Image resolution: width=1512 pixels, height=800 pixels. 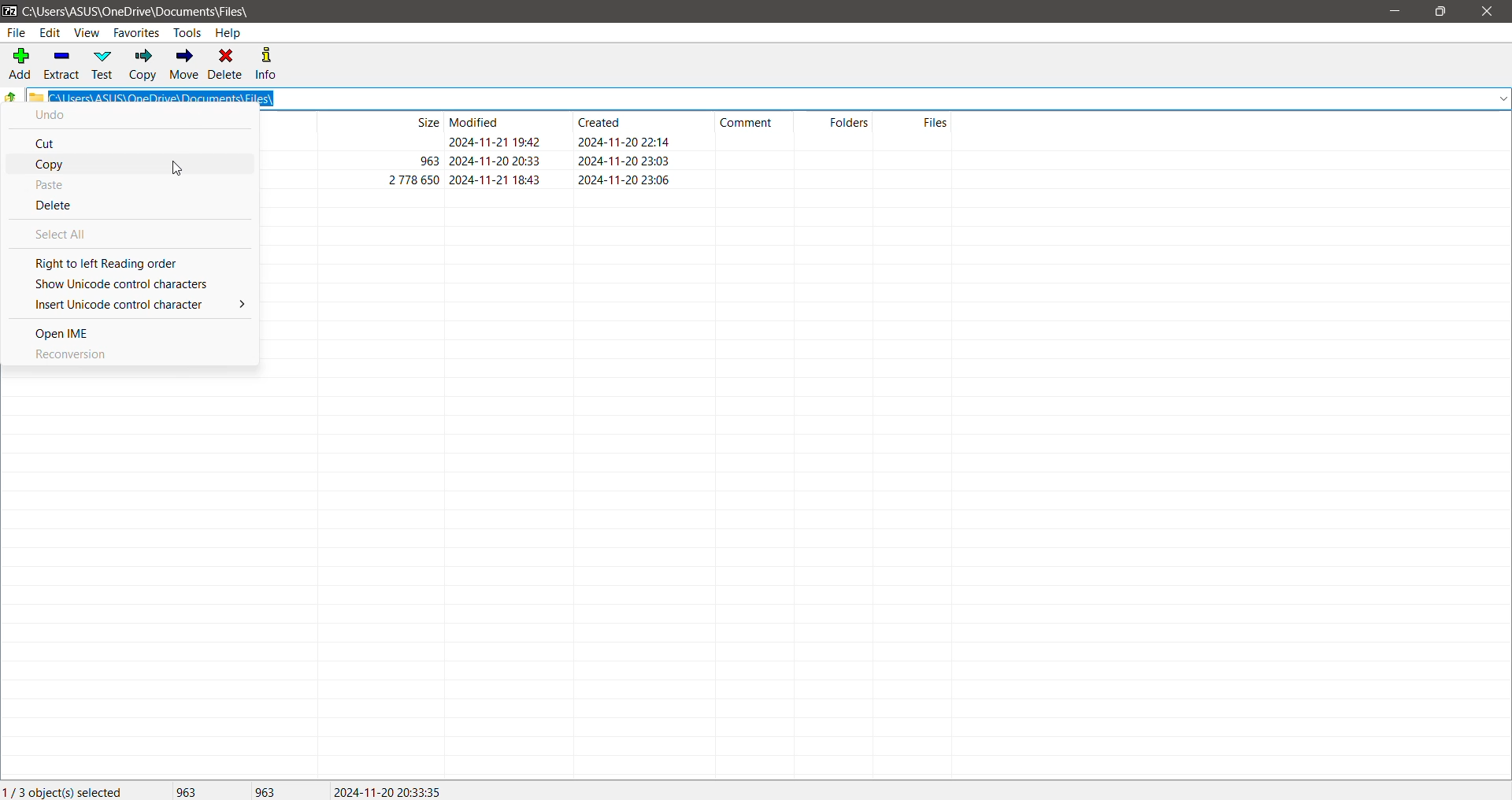 I want to click on Favorites, so click(x=138, y=33).